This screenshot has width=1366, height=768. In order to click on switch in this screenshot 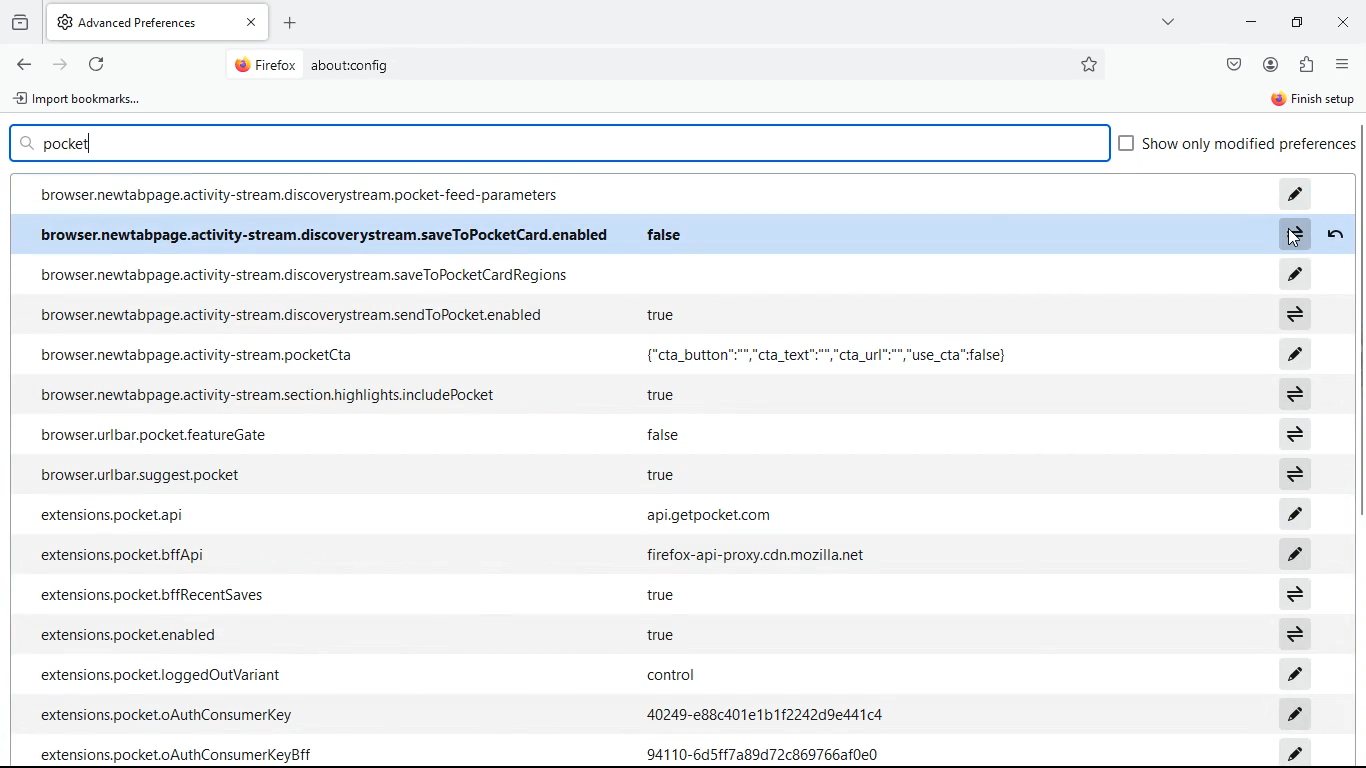, I will do `click(1295, 433)`.